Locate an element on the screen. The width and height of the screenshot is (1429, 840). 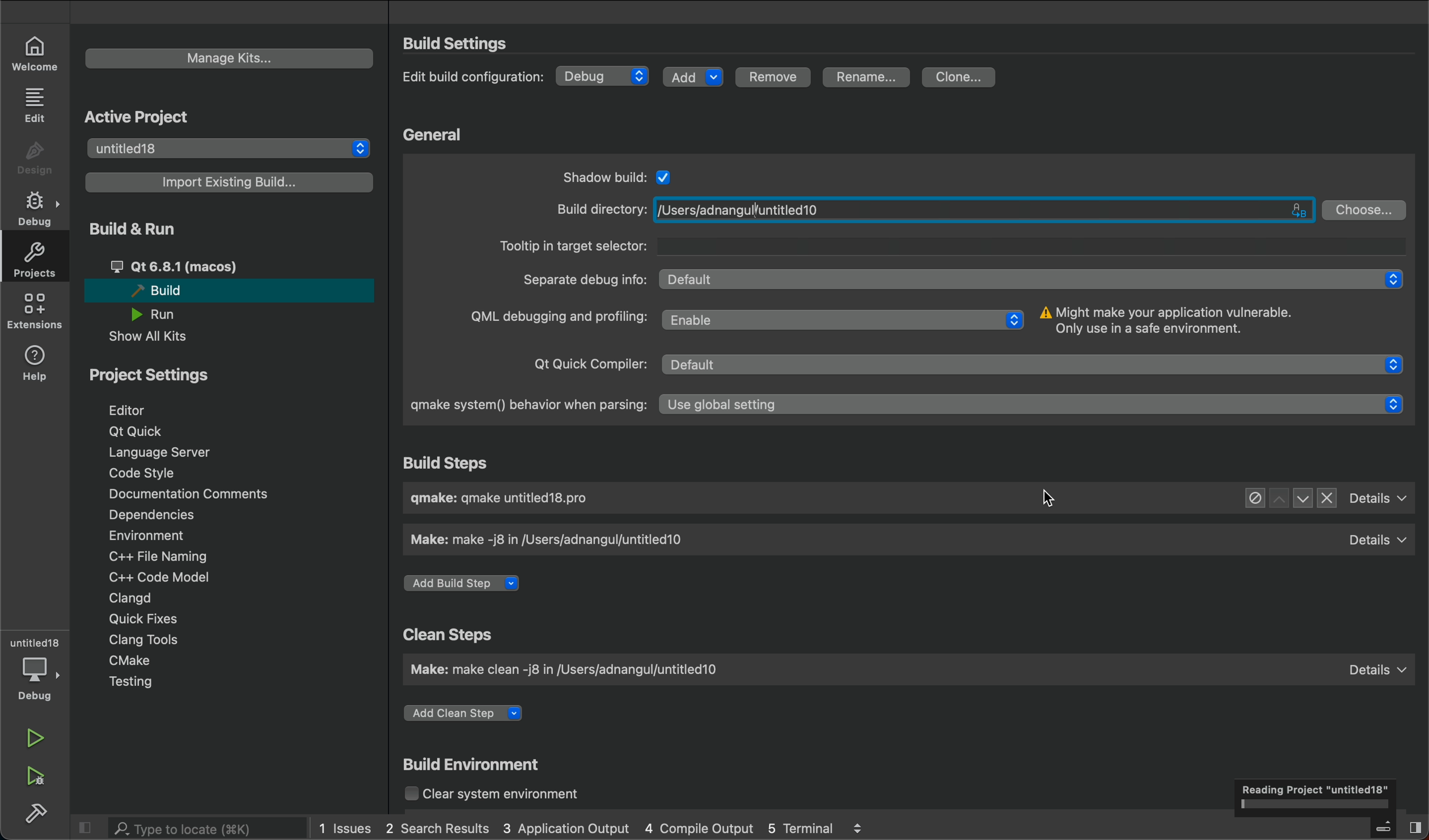
Details is located at coordinates (1375, 665).